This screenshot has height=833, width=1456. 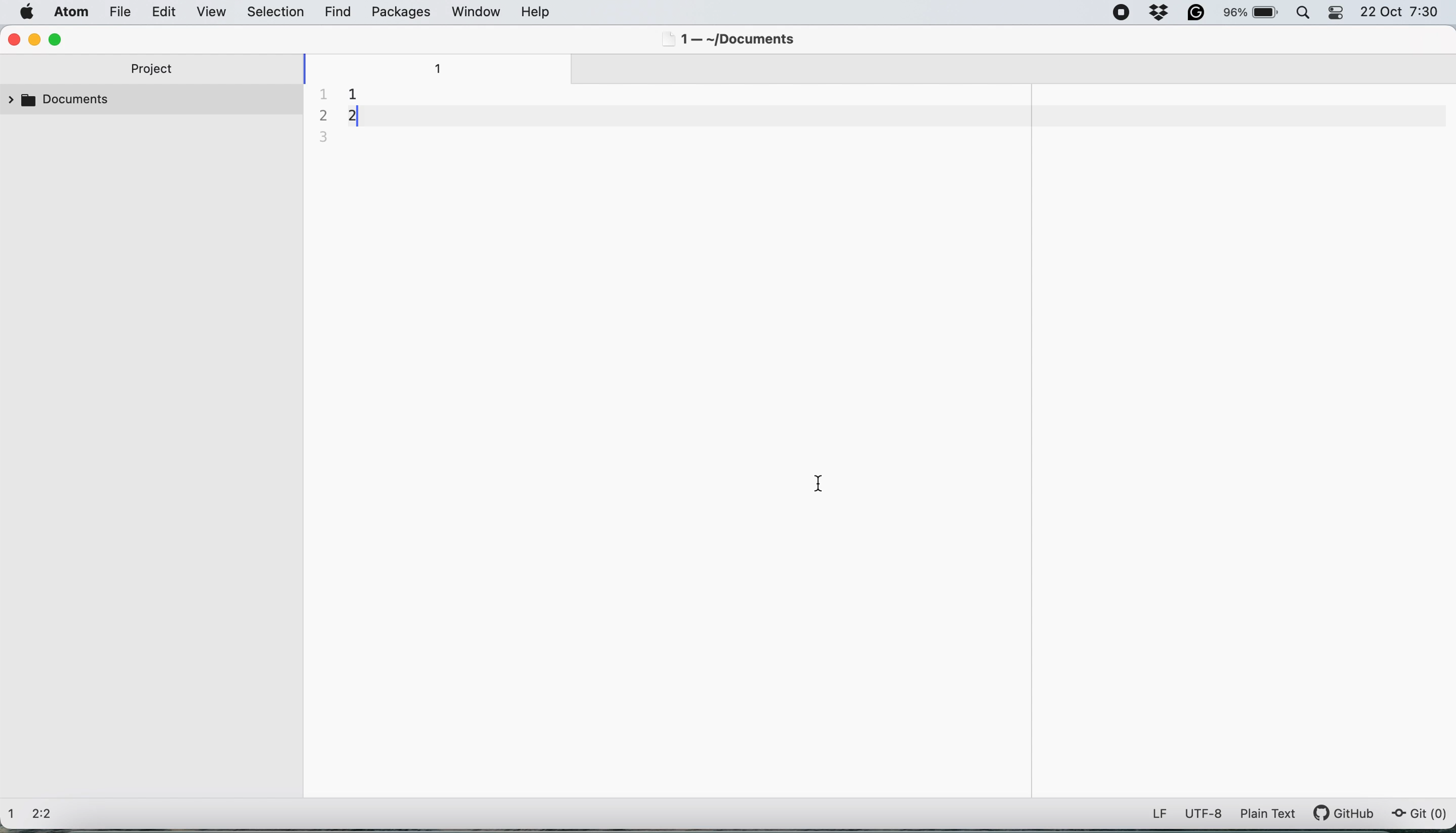 I want to click on maximise, so click(x=59, y=40).